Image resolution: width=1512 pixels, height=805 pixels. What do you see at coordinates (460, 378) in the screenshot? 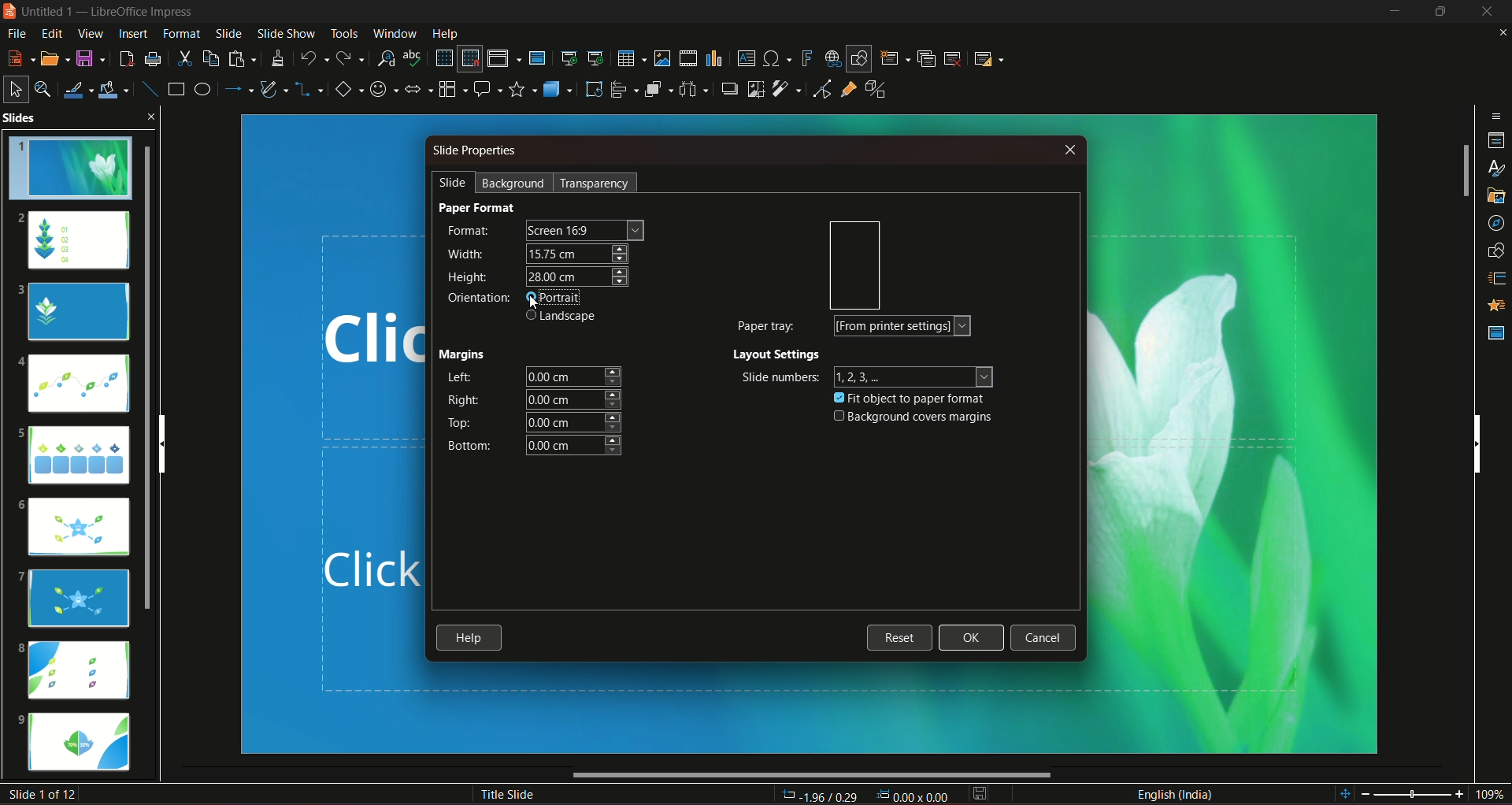
I see `left` at bounding box center [460, 378].